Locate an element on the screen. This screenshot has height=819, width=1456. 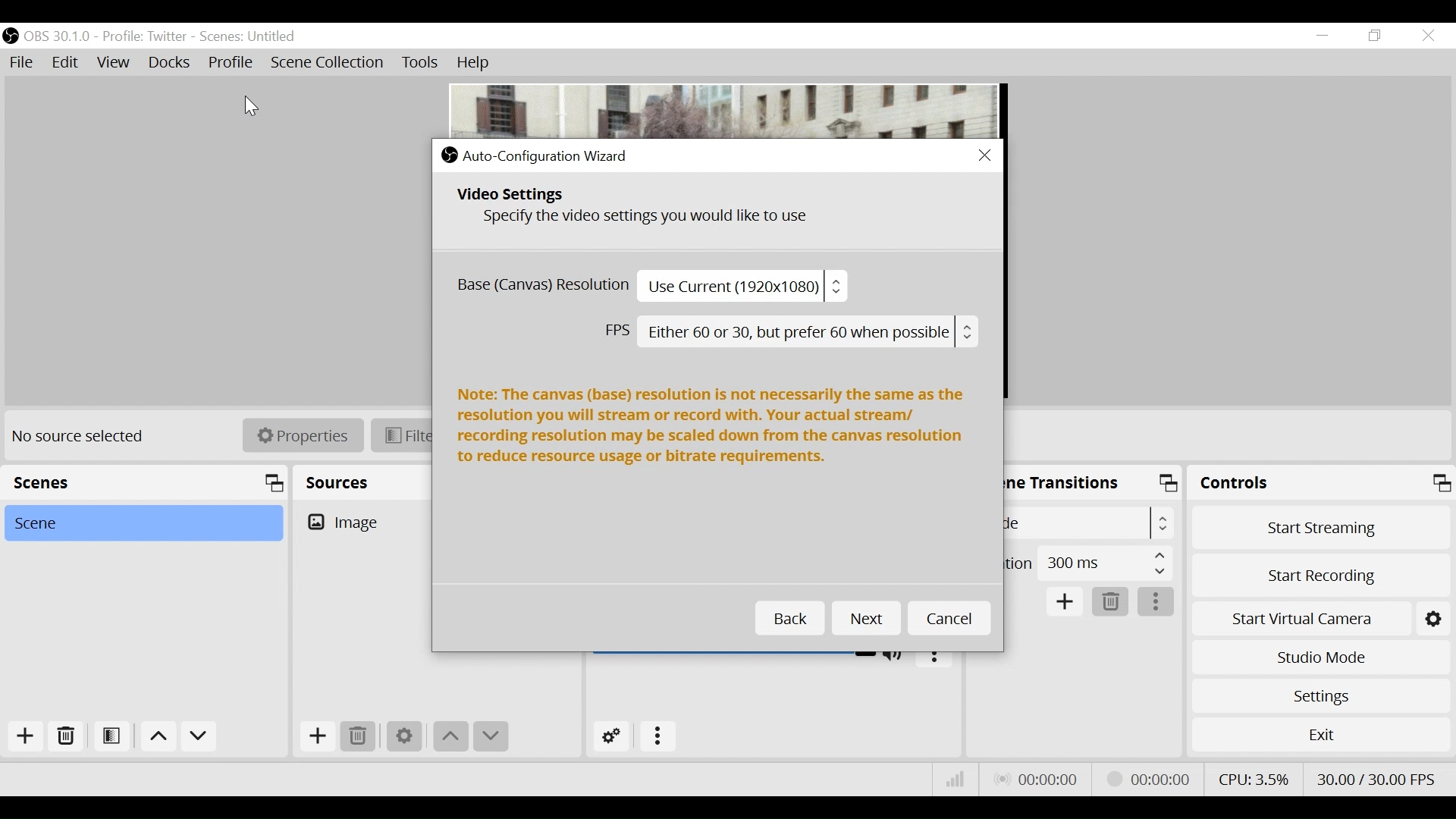
View is located at coordinates (115, 63).